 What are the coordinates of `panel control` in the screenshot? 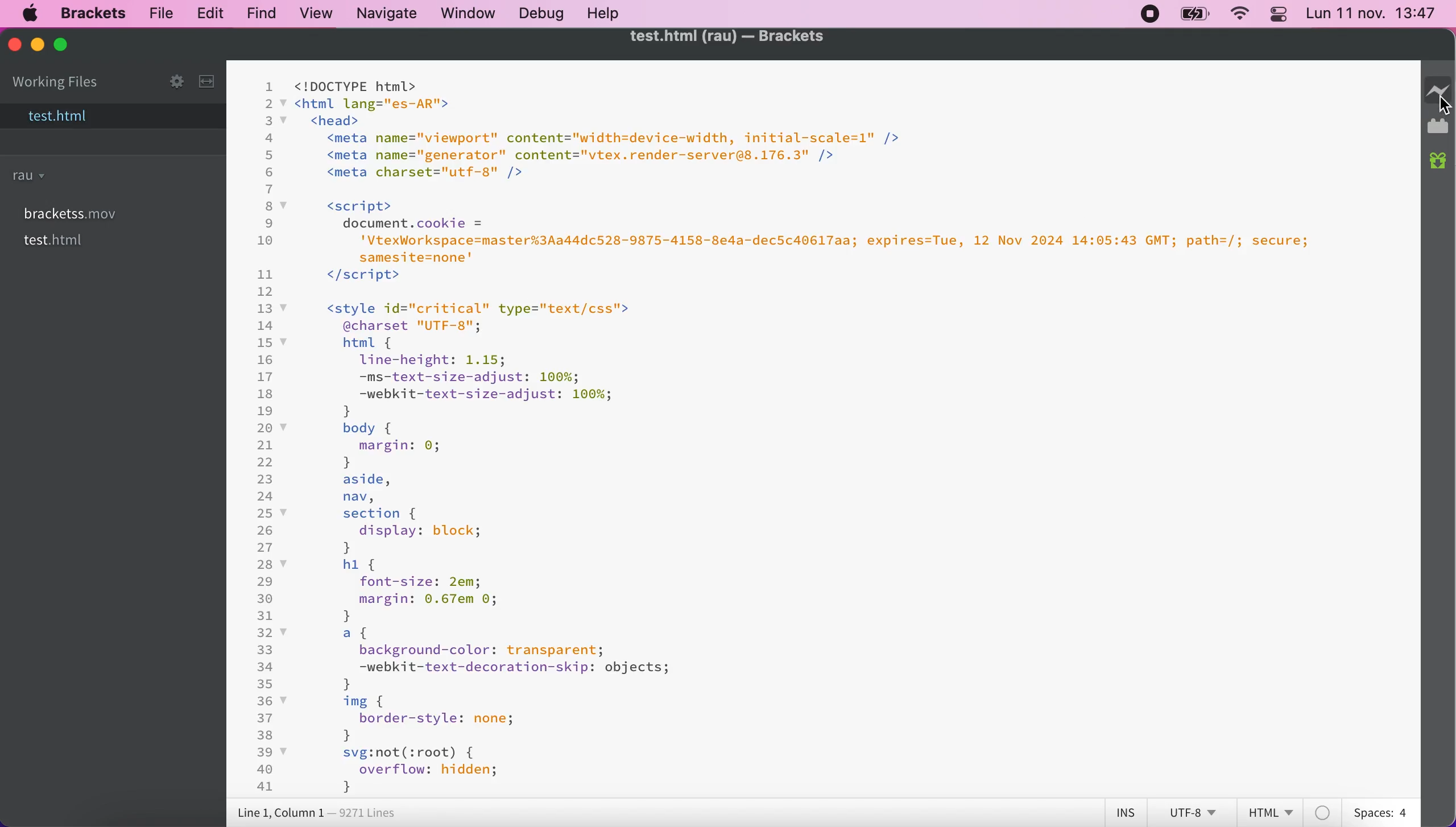 It's located at (1277, 14).